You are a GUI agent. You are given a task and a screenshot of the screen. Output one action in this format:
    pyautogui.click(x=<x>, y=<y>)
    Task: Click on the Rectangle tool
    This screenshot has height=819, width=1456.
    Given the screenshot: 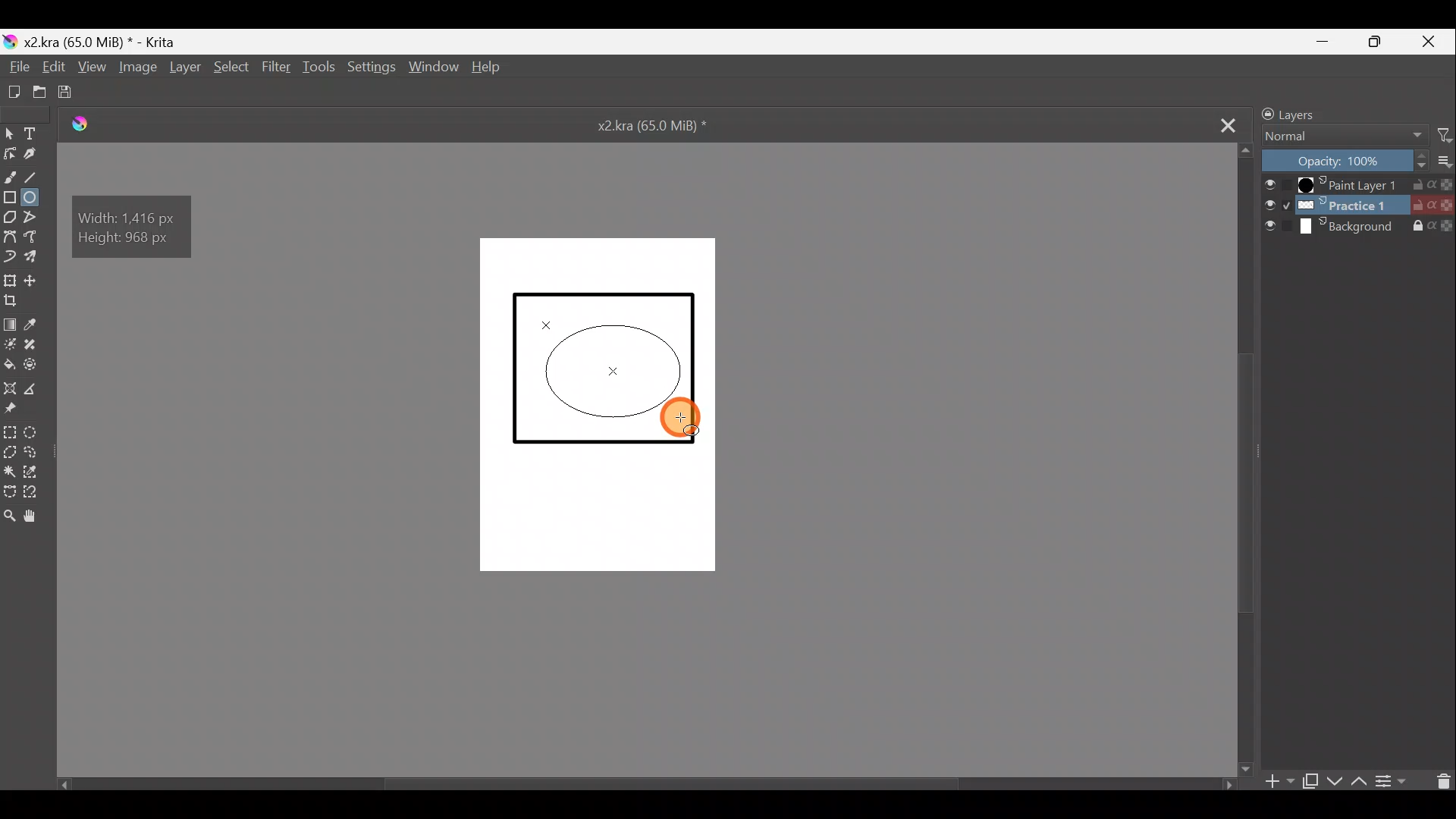 What is the action you would take?
    pyautogui.click(x=11, y=196)
    